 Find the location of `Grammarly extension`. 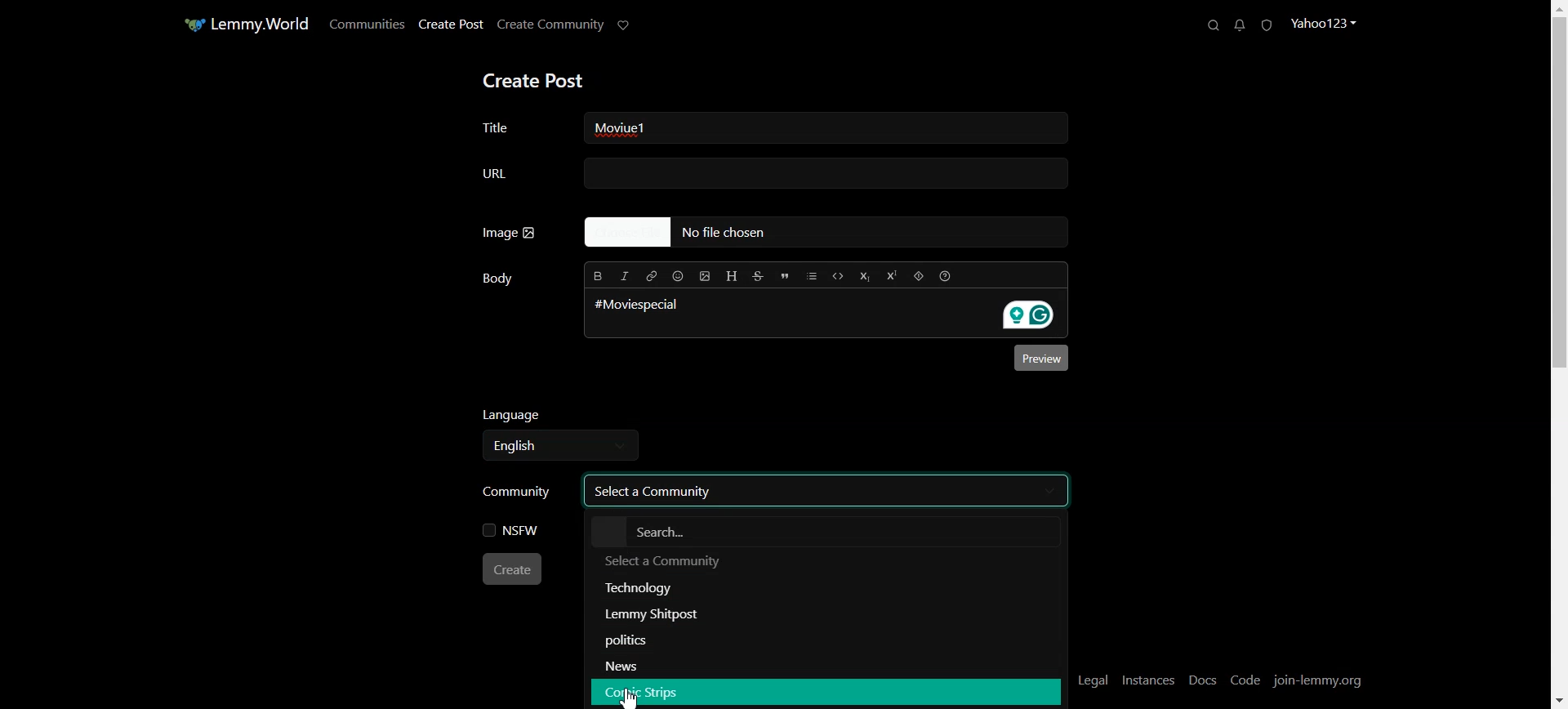

Grammarly extension is located at coordinates (1028, 316).